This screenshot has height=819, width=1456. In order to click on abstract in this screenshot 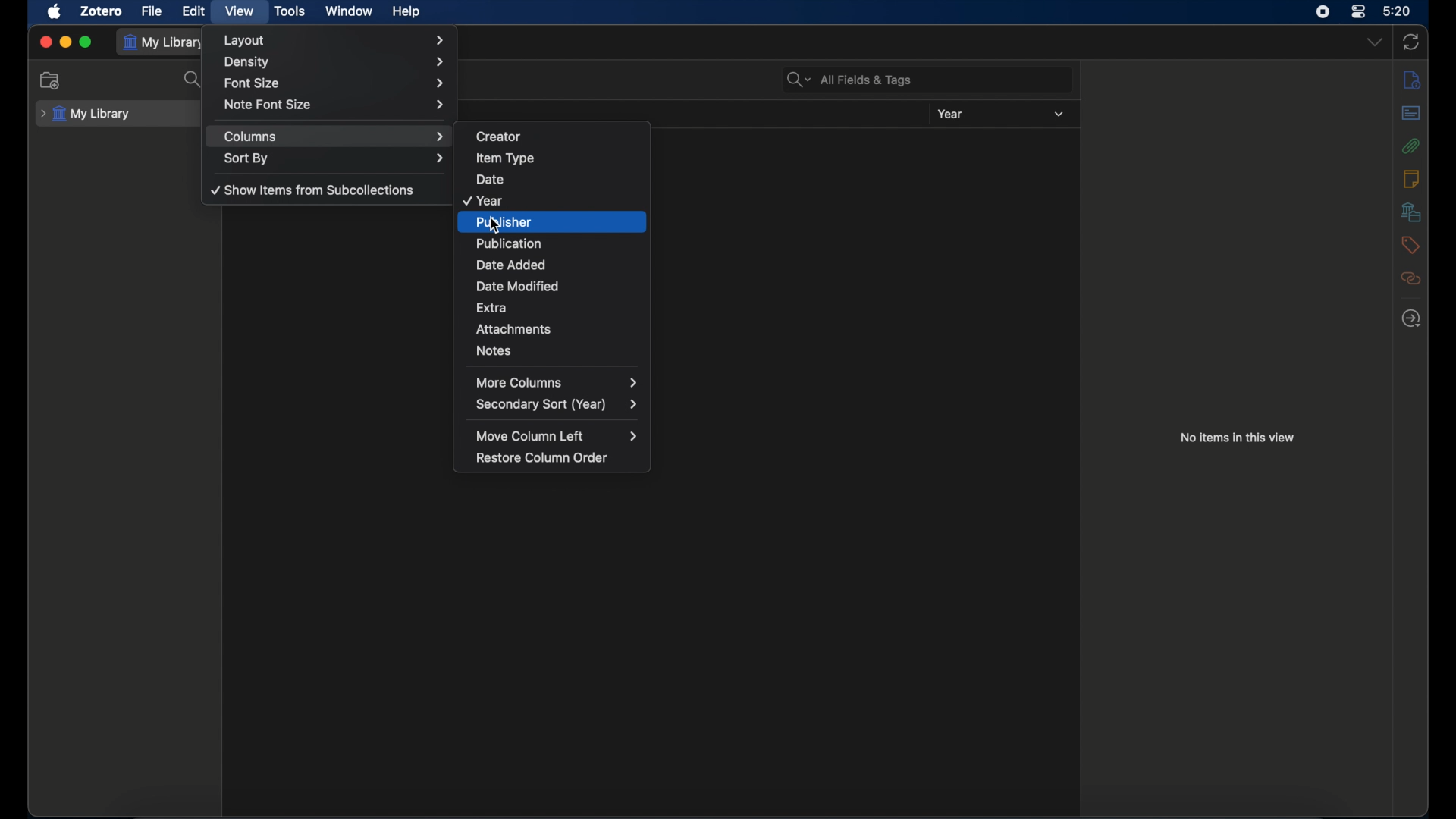, I will do `click(1411, 112)`.